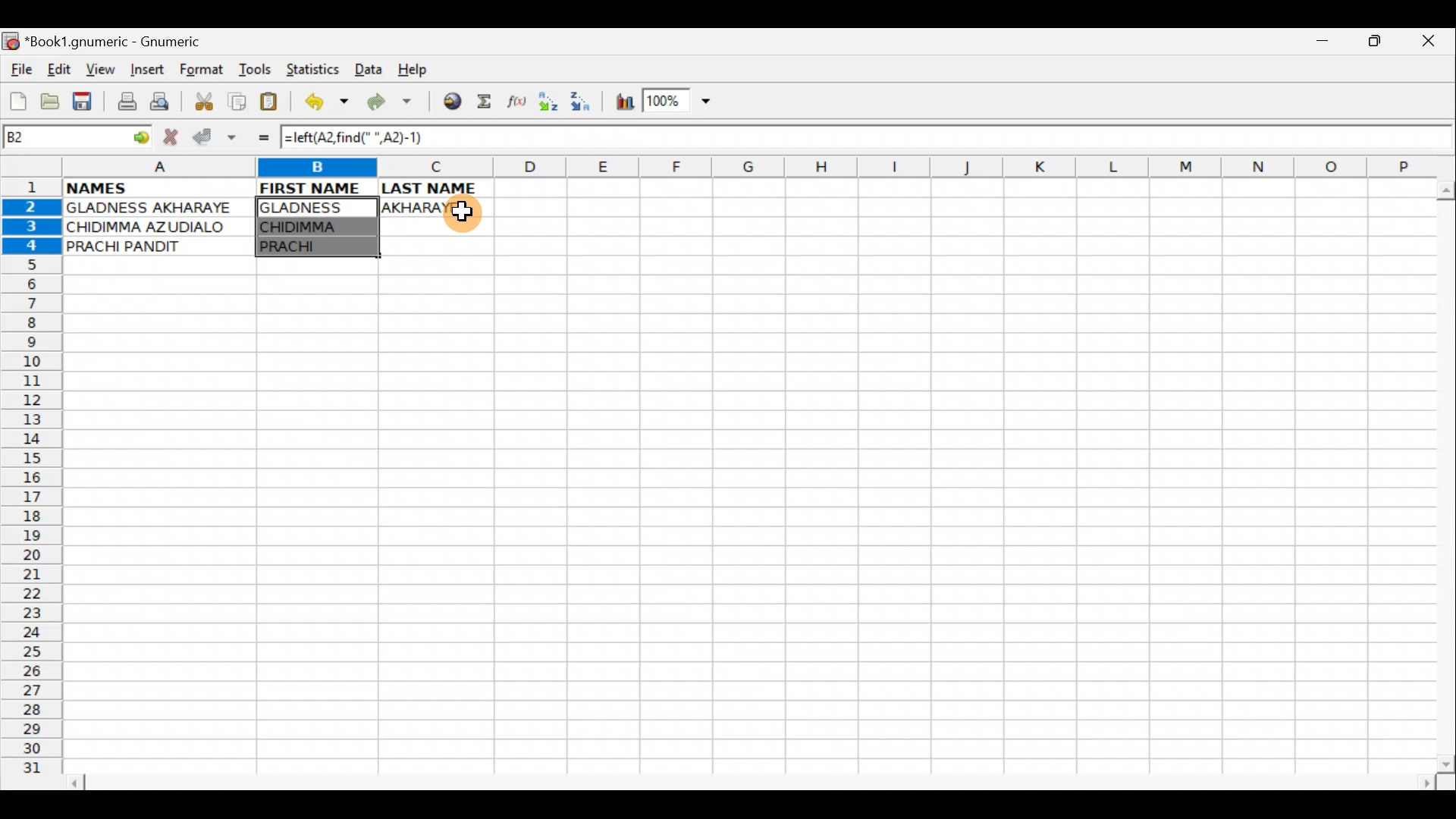 The image size is (1456, 819). I want to click on Open a file, so click(53, 99).